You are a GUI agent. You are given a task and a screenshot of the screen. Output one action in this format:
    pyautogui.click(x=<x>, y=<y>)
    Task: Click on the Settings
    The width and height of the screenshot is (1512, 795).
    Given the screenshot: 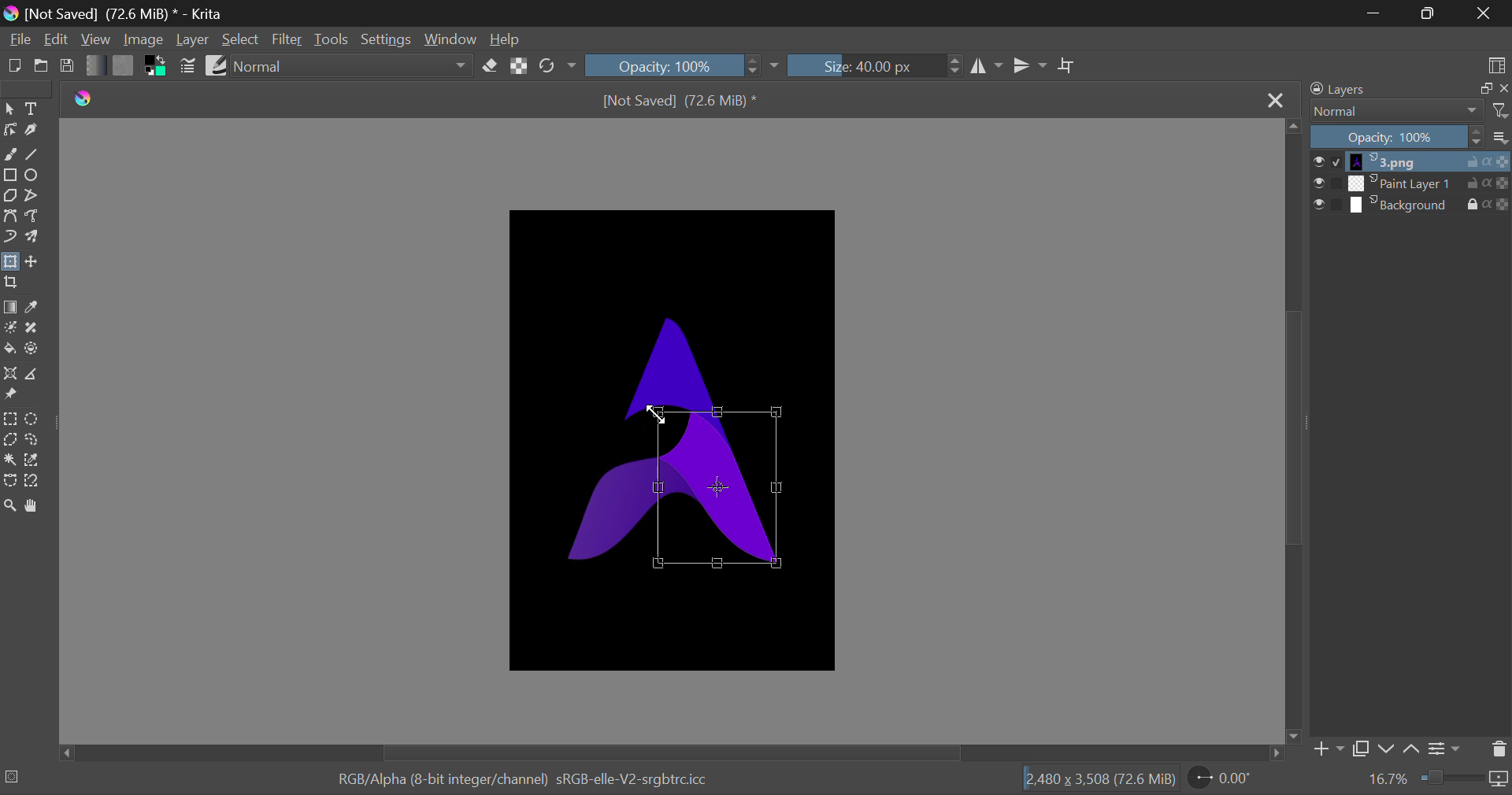 What is the action you would take?
    pyautogui.click(x=1445, y=749)
    